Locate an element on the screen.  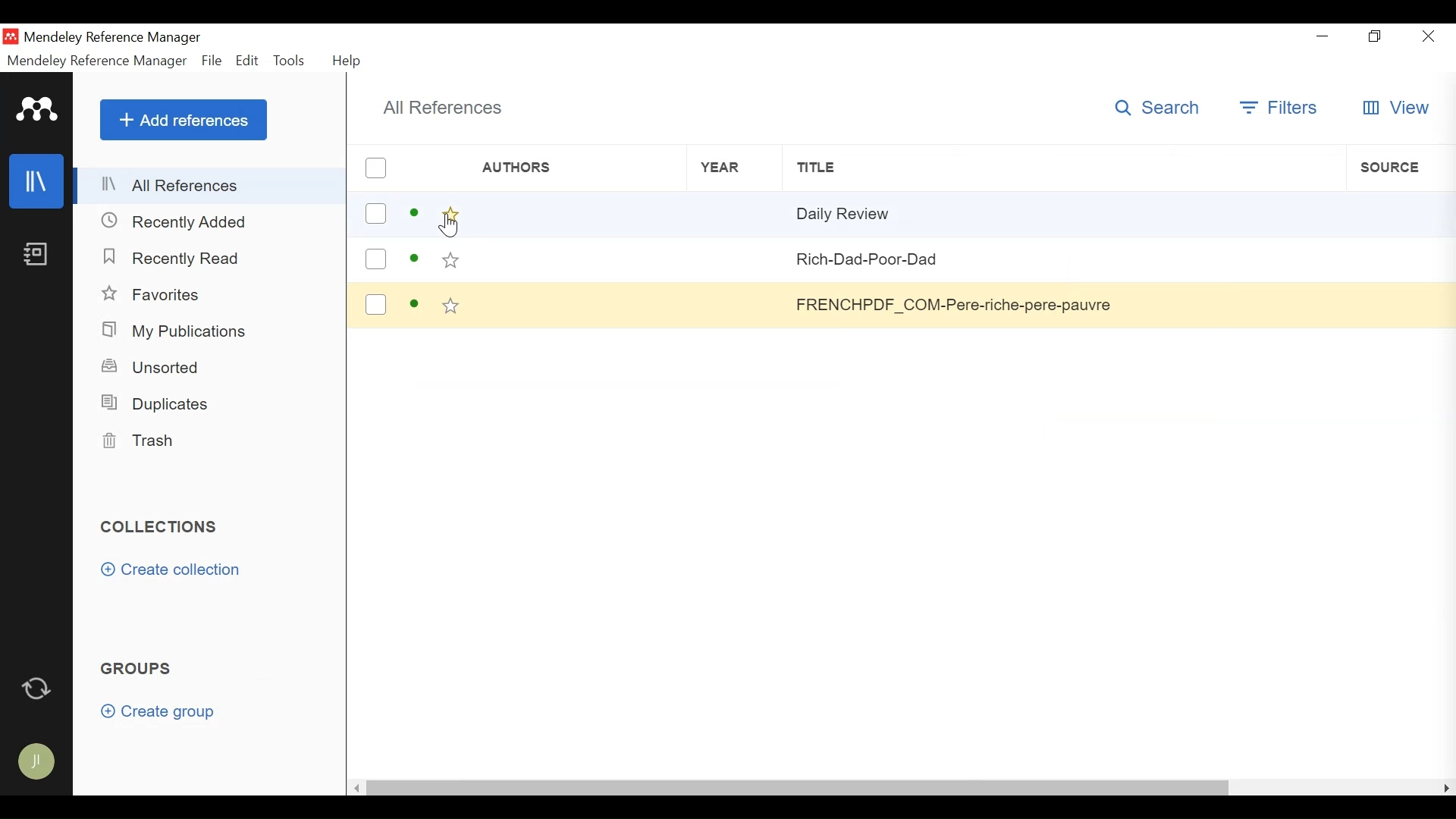
Create Collection is located at coordinates (172, 570).